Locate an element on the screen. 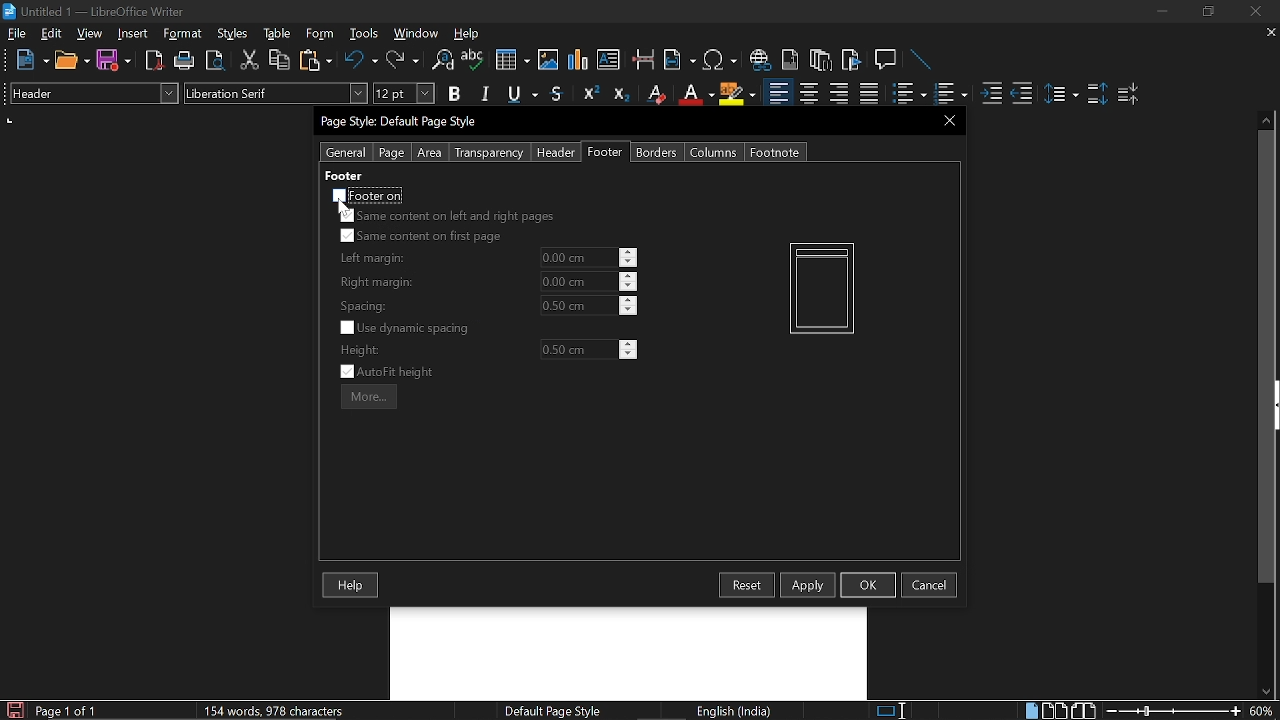 Image resolution: width=1280 pixels, height=720 pixels. current page Current page is located at coordinates (65, 710).